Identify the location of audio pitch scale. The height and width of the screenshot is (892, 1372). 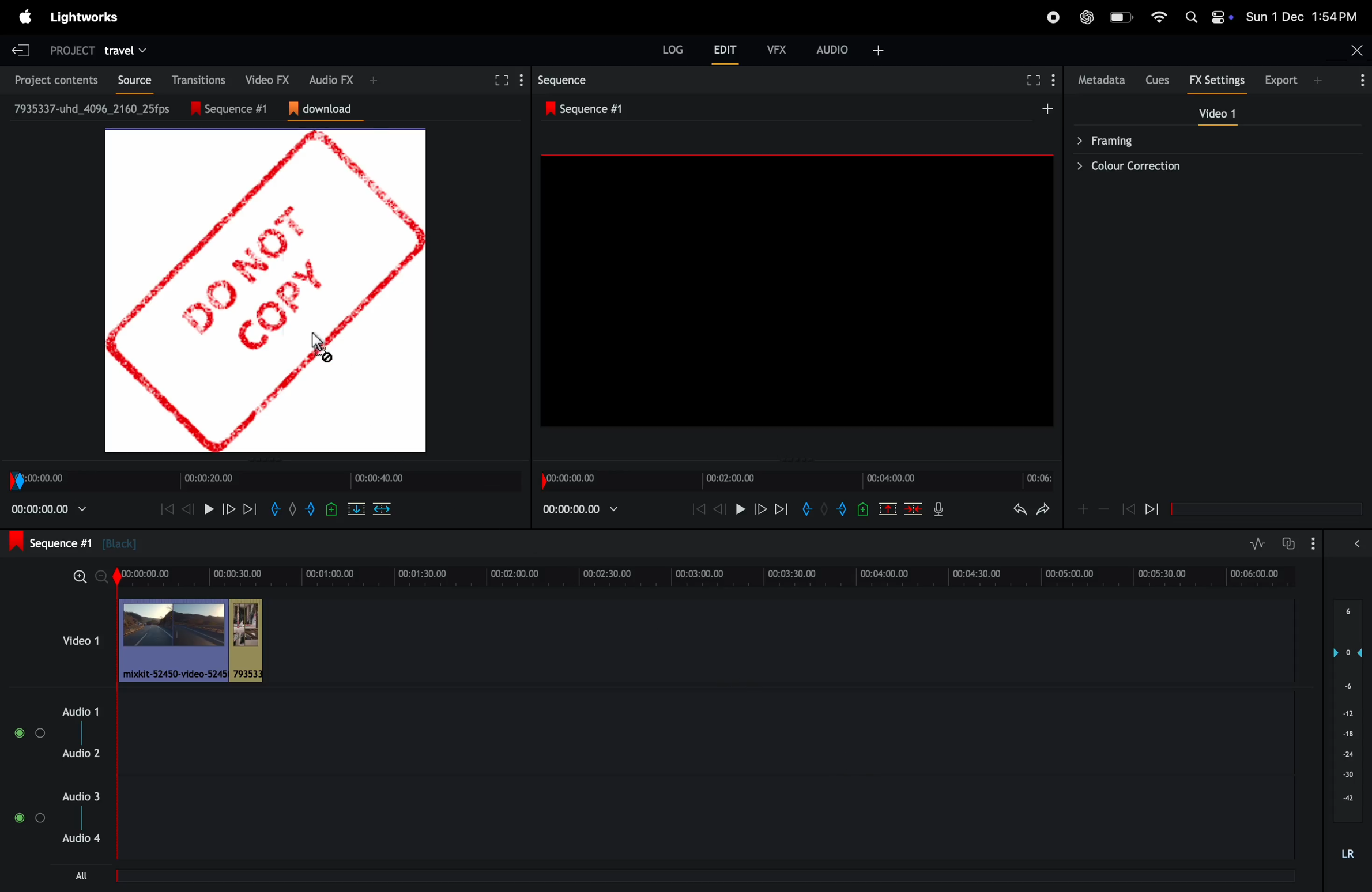
(1347, 711).